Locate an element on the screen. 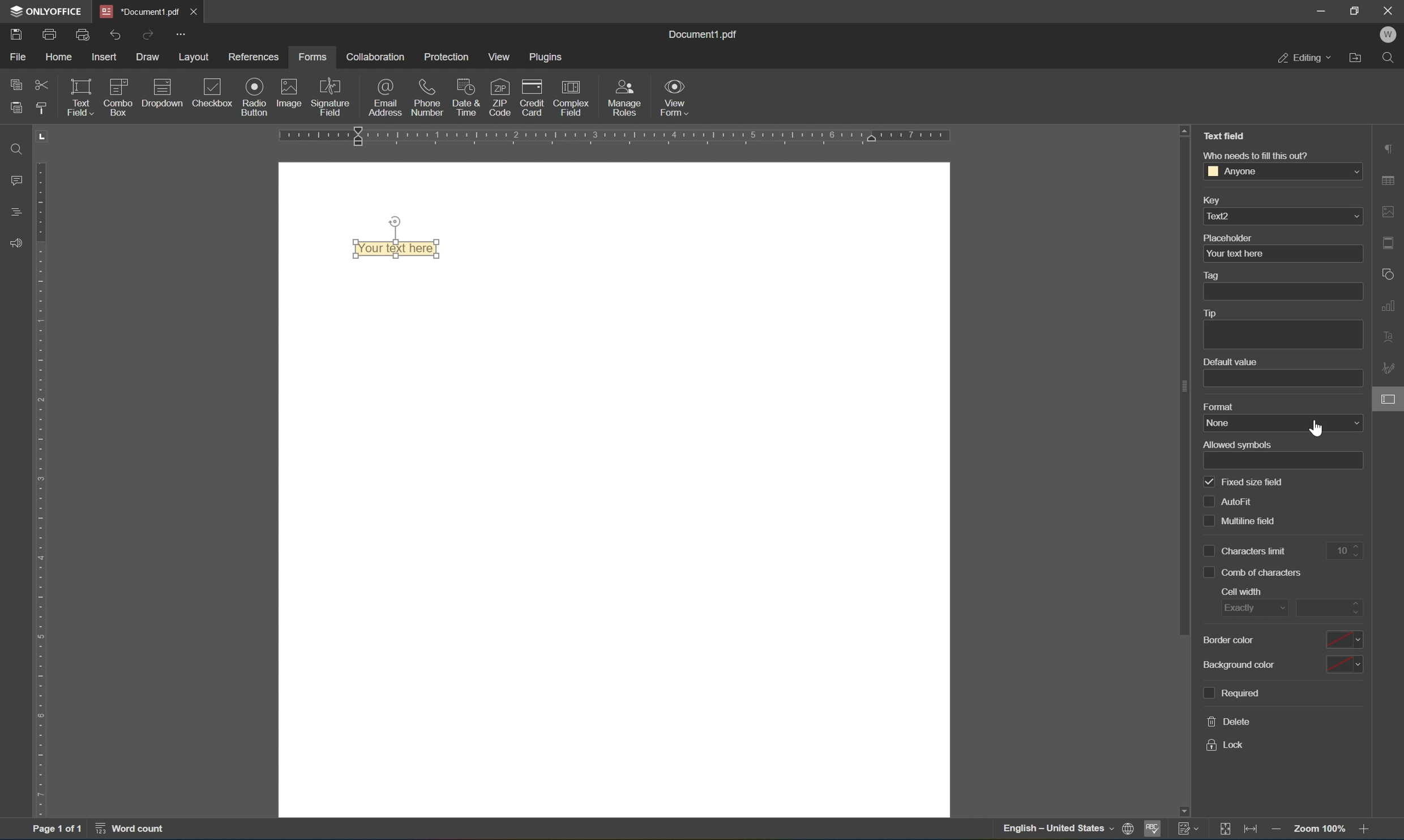 This screenshot has height=840, width=1404. editing is located at coordinates (1302, 58).